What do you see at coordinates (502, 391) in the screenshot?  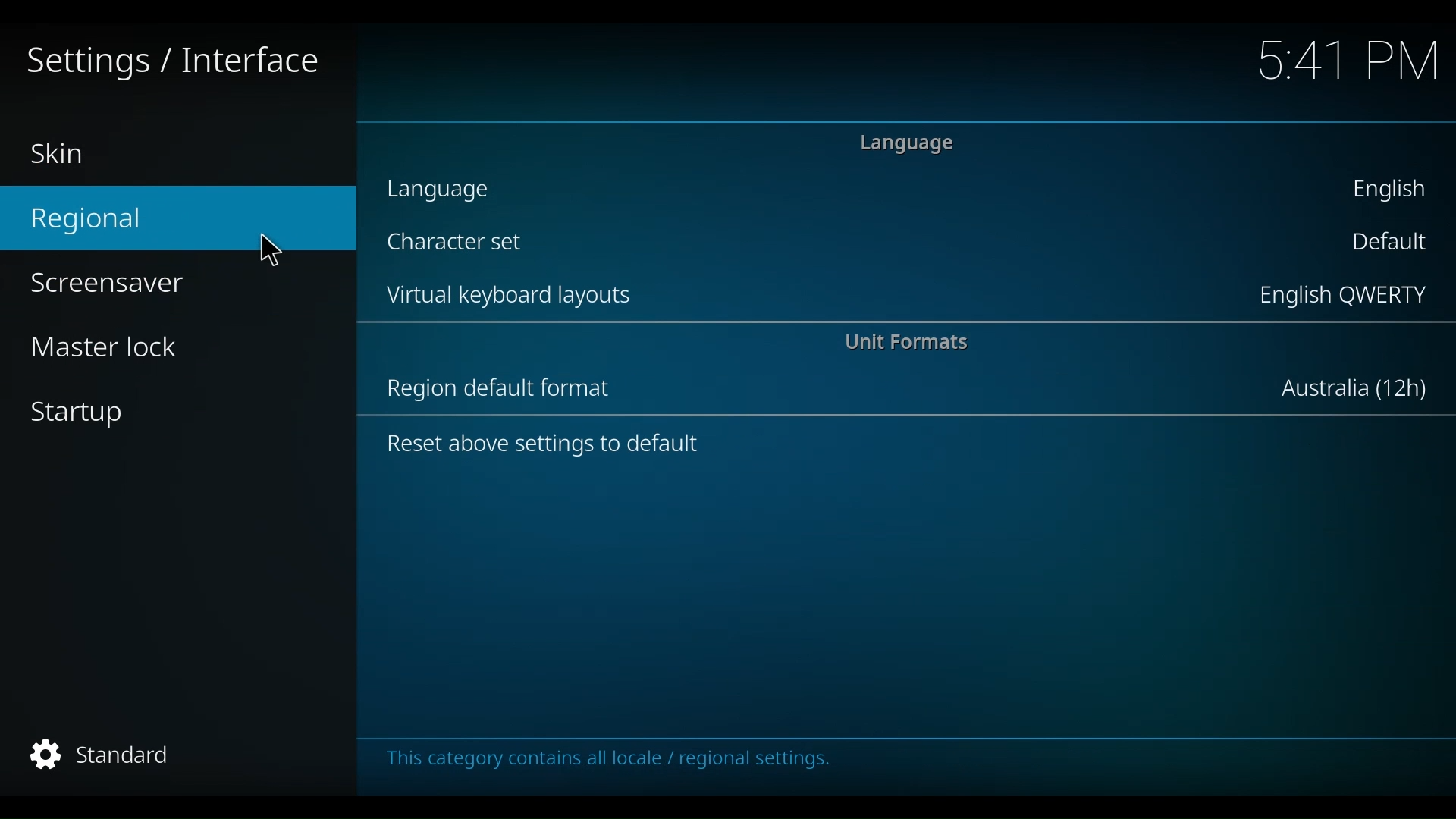 I see `Region default format` at bounding box center [502, 391].